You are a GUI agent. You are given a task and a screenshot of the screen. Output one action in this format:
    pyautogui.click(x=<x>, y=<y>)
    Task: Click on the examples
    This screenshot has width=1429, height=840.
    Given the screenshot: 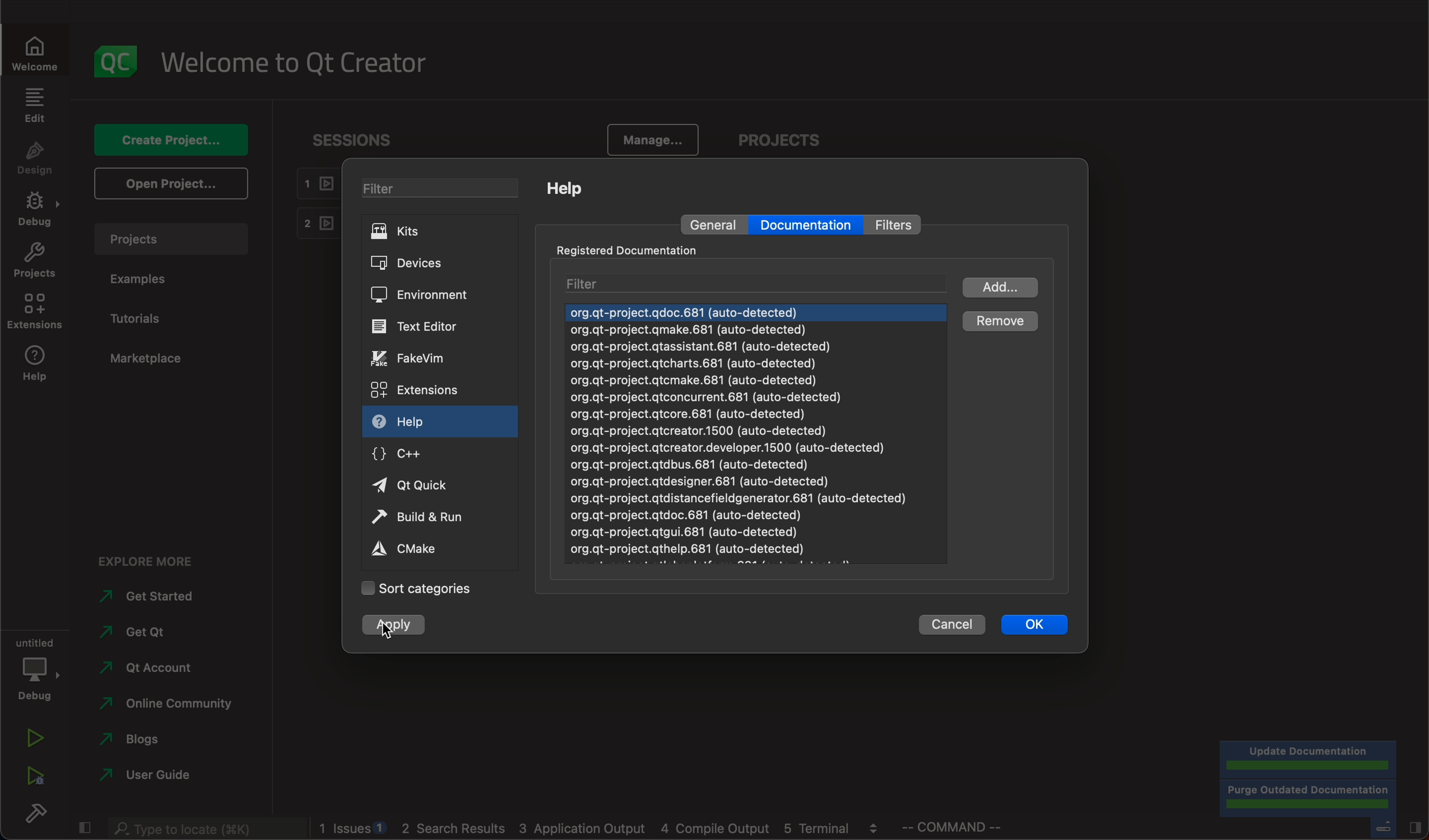 What is the action you would take?
    pyautogui.click(x=157, y=285)
    